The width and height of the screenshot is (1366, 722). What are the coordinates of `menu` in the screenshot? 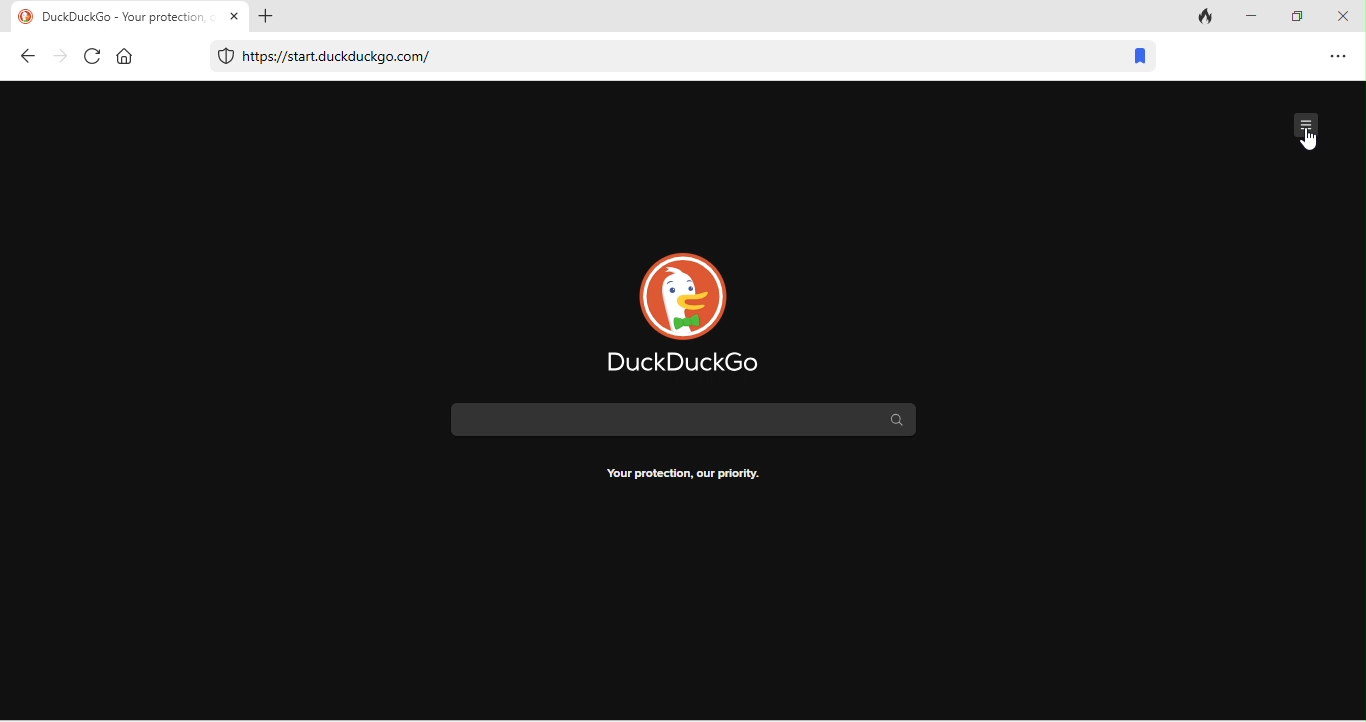 It's located at (1308, 122).